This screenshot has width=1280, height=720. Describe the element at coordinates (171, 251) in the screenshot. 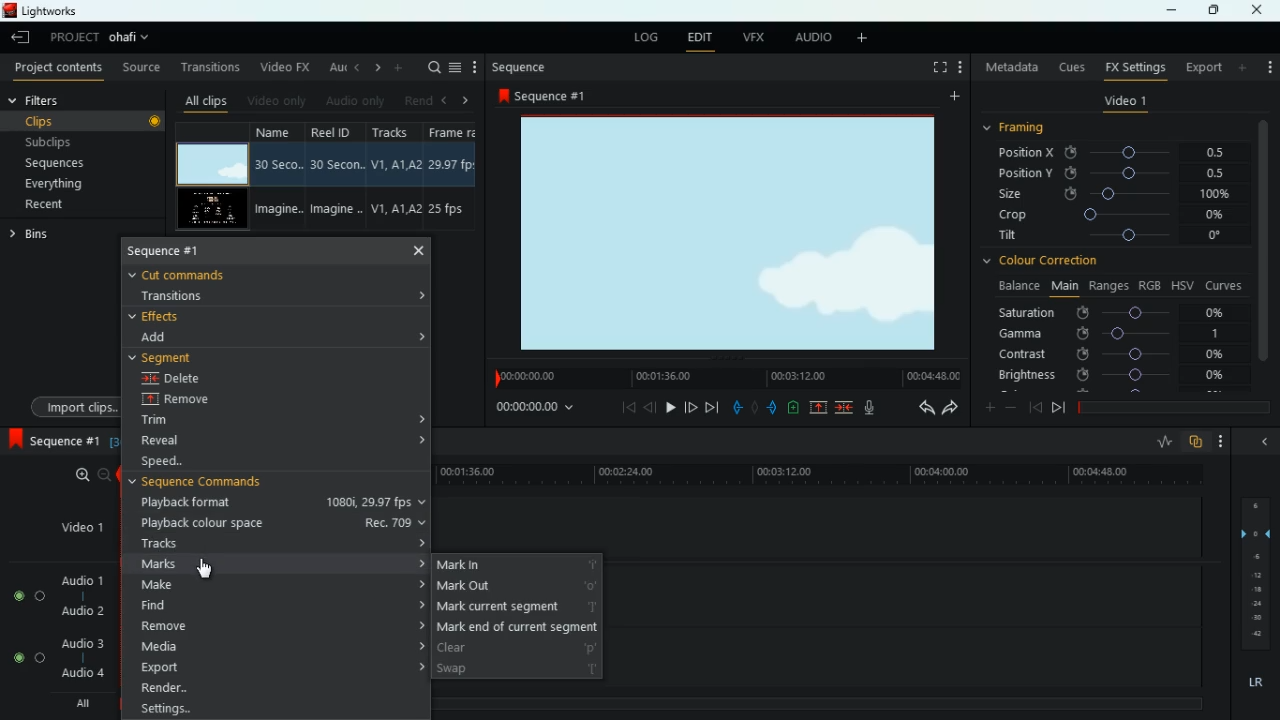

I see `sequence` at that location.